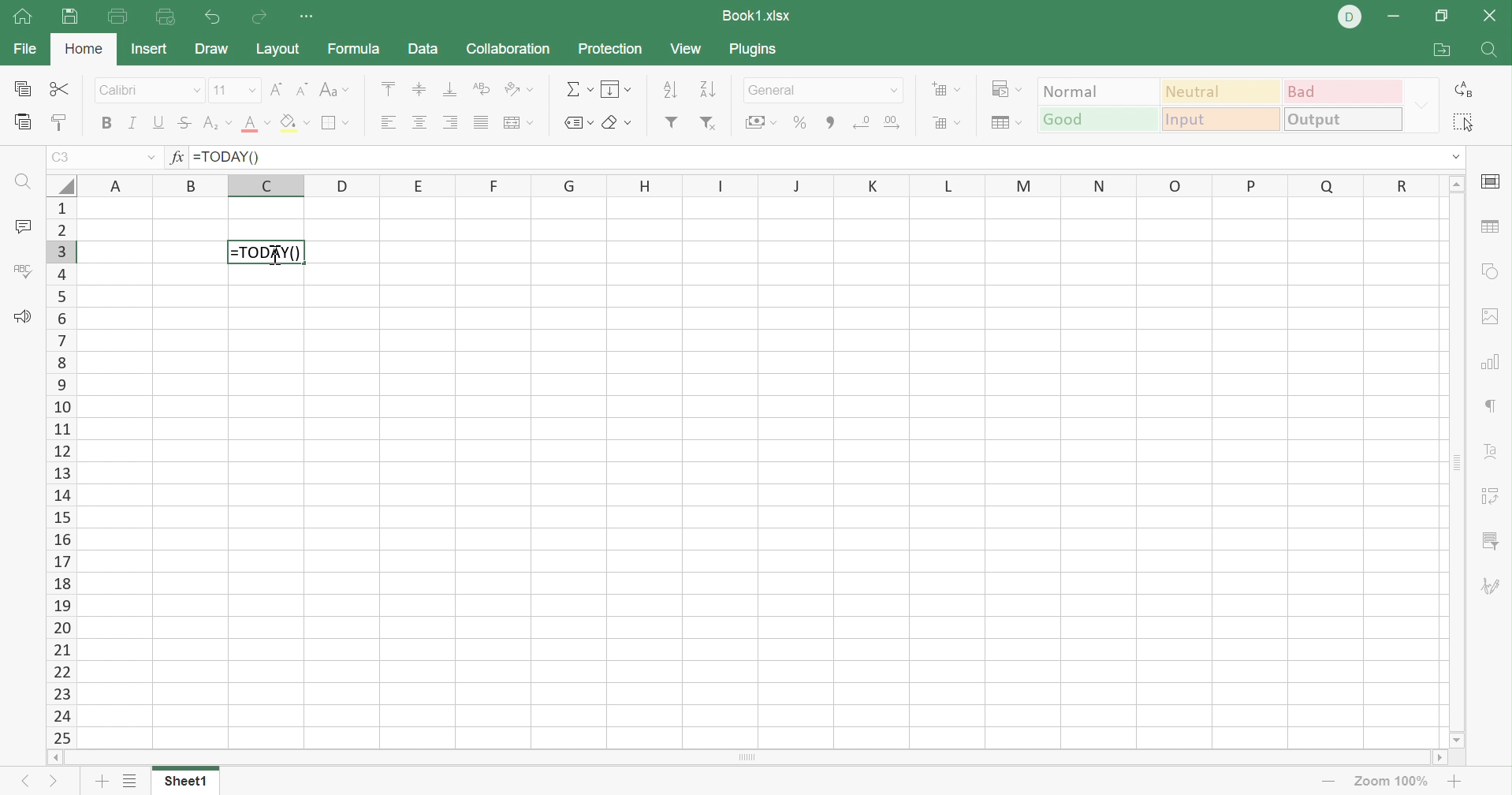 This screenshot has height=795, width=1512. What do you see at coordinates (754, 187) in the screenshot?
I see `Column Names` at bounding box center [754, 187].